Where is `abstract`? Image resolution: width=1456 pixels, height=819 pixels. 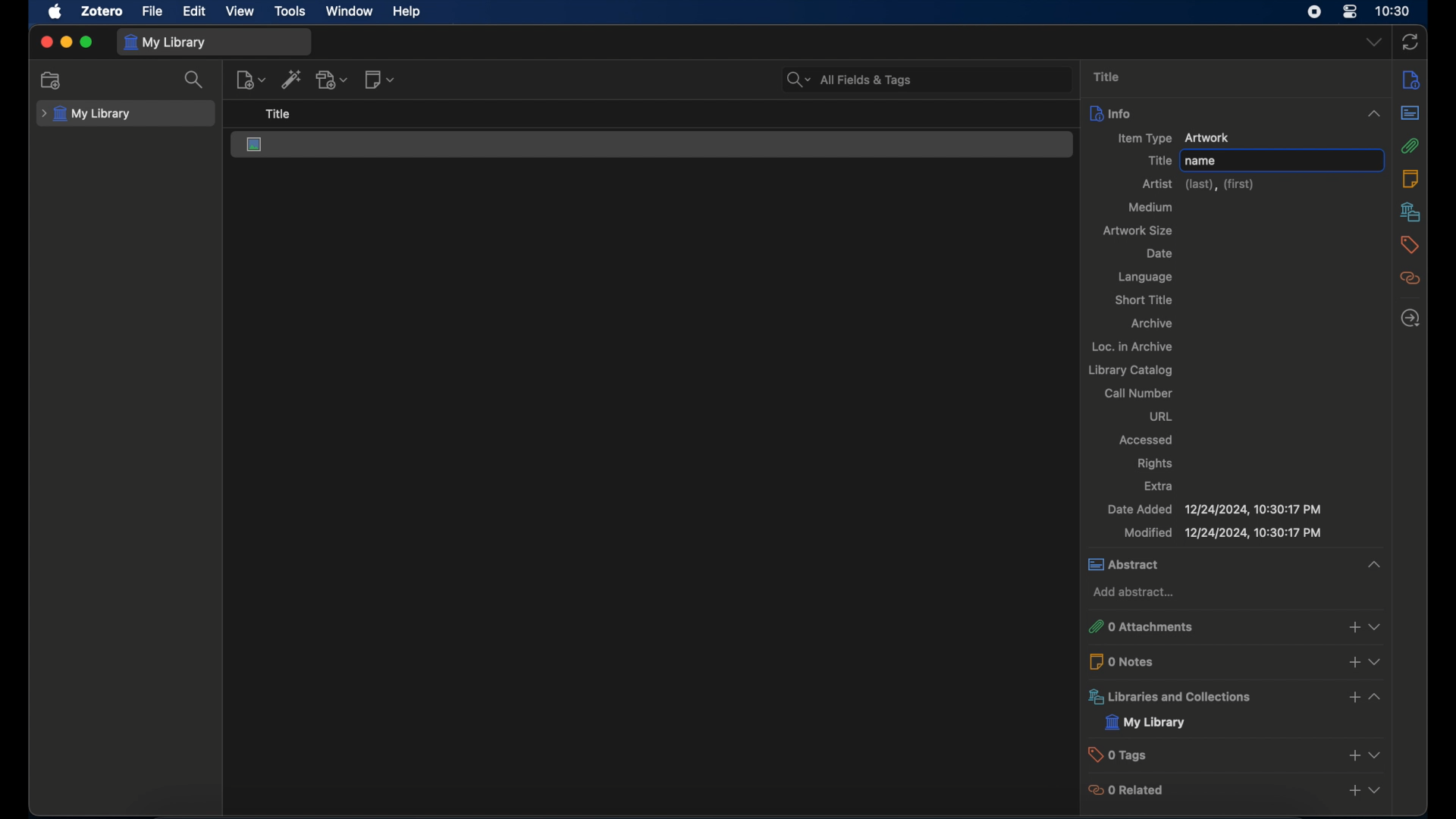 abstract is located at coordinates (1150, 565).